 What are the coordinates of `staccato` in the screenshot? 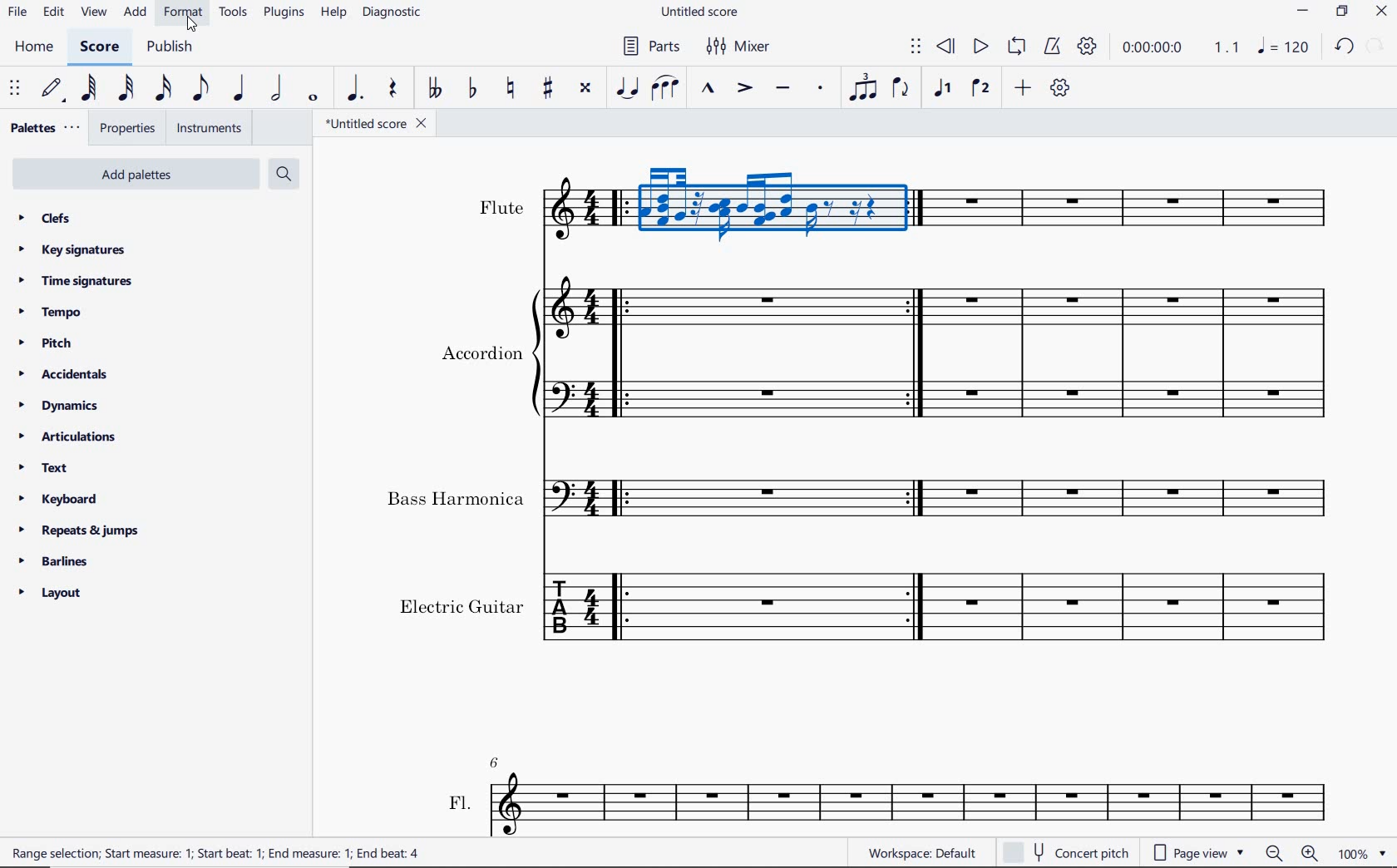 It's located at (822, 91).